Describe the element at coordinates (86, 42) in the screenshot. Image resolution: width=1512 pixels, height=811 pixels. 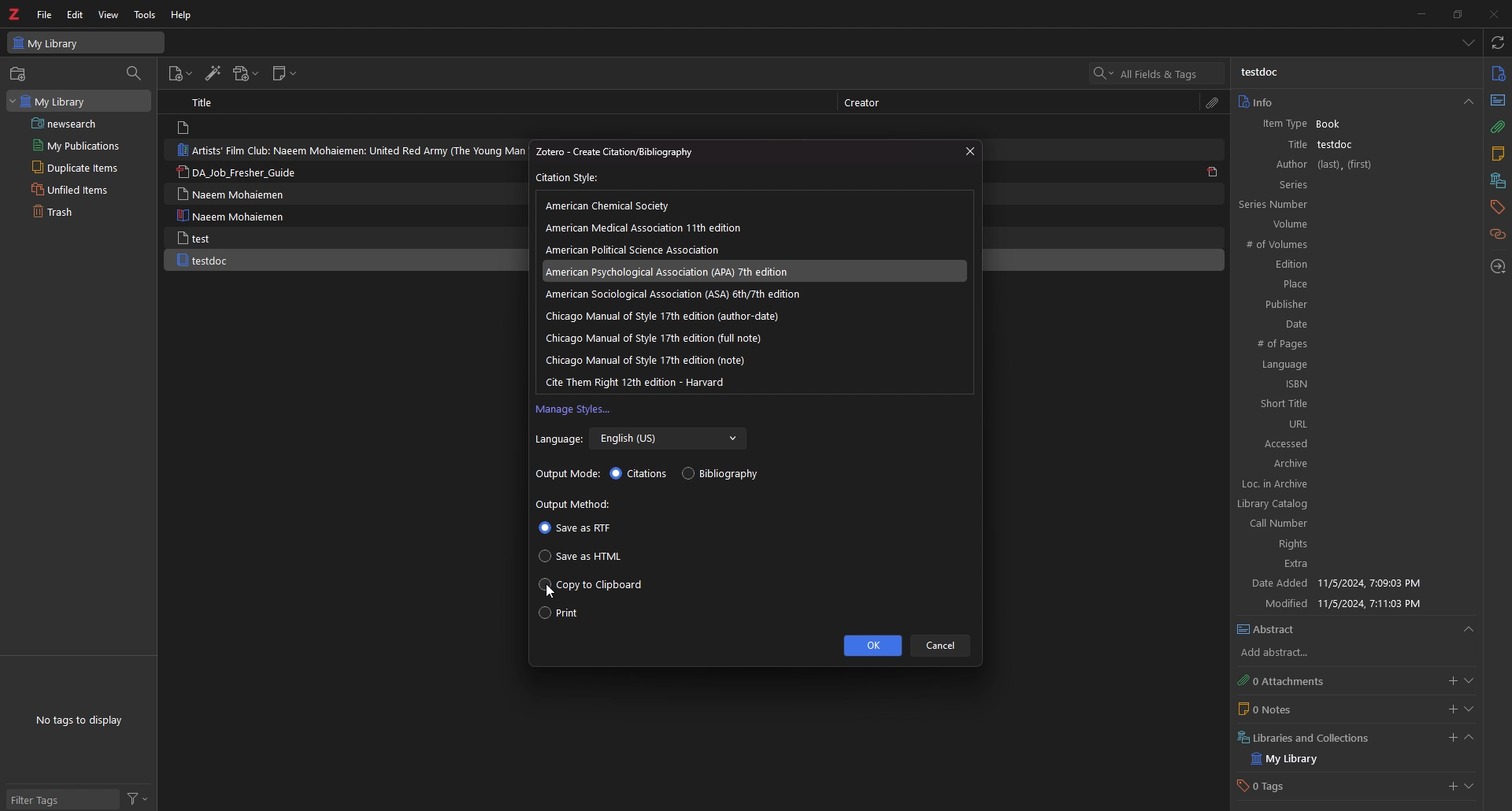
I see `My Library` at that location.